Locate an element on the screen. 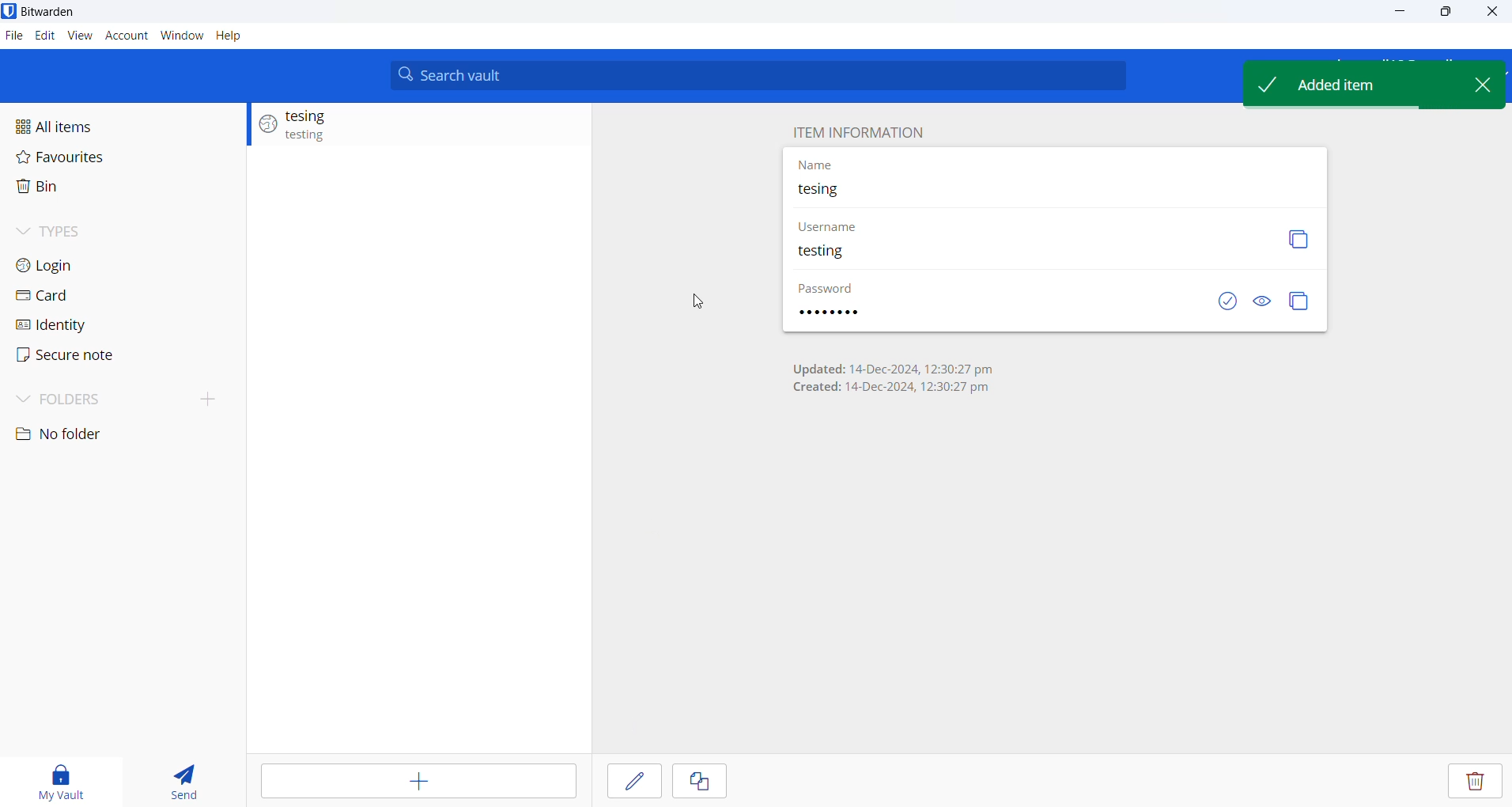 This screenshot has height=807, width=1512. File is located at coordinates (13, 36).